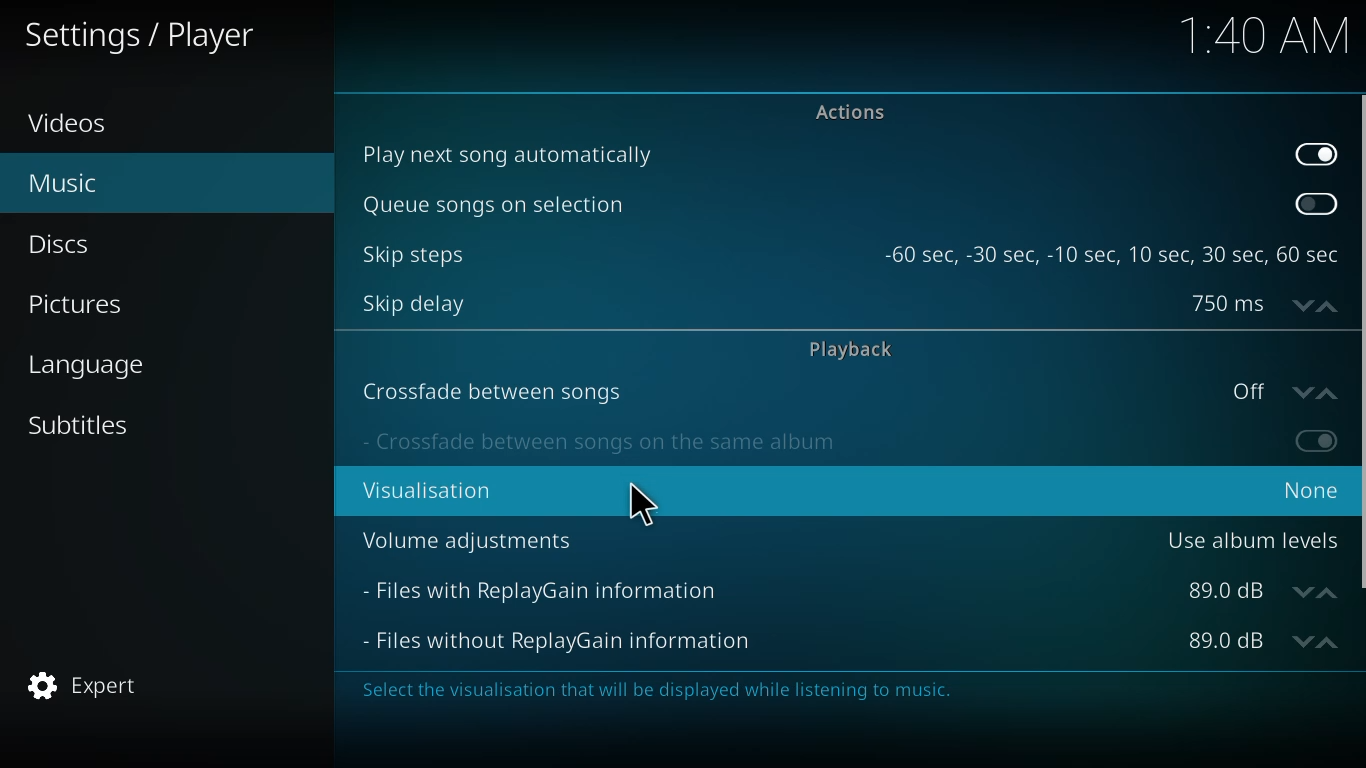 The width and height of the screenshot is (1366, 768). I want to click on scroll bar, so click(1360, 340).